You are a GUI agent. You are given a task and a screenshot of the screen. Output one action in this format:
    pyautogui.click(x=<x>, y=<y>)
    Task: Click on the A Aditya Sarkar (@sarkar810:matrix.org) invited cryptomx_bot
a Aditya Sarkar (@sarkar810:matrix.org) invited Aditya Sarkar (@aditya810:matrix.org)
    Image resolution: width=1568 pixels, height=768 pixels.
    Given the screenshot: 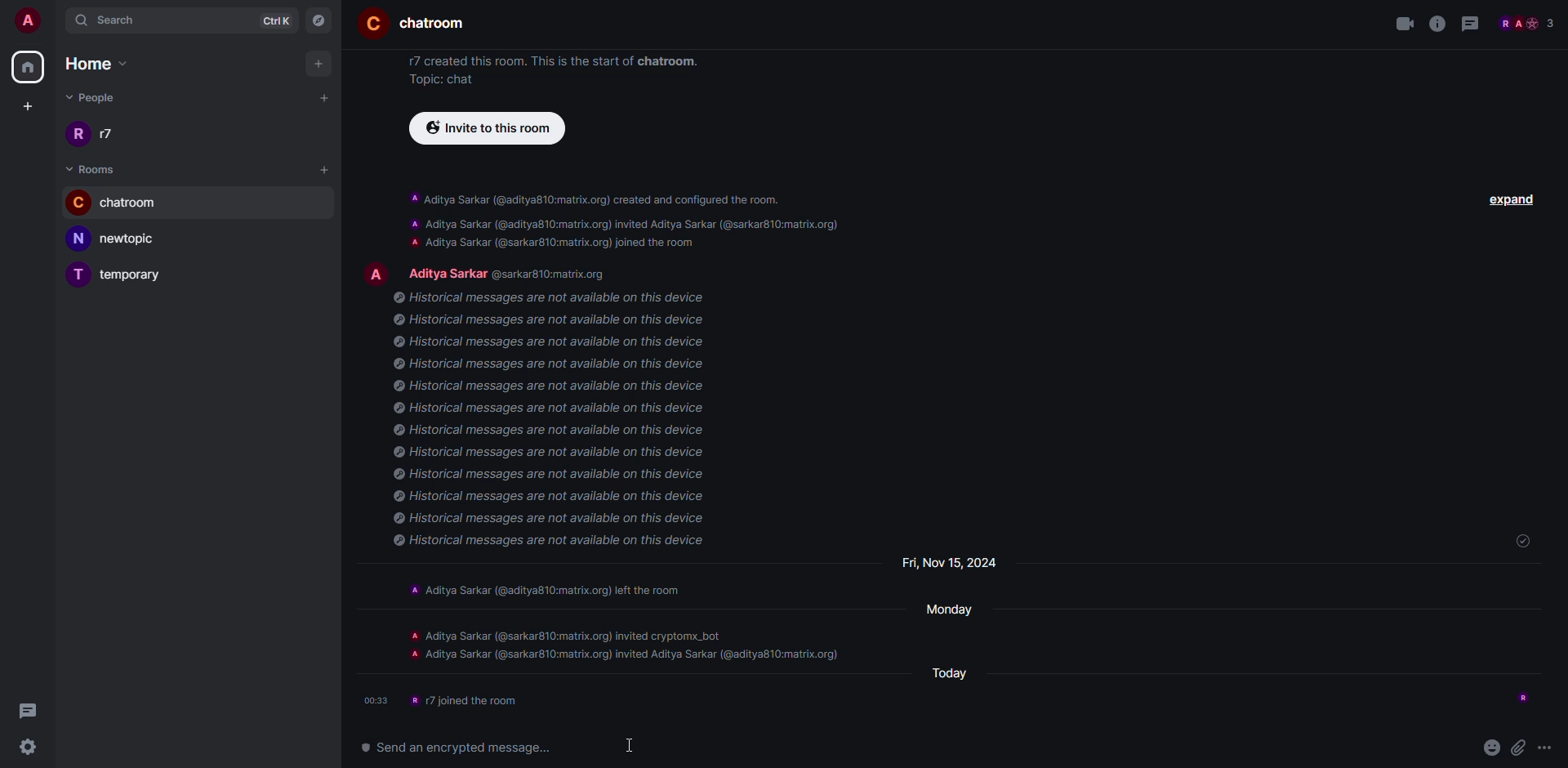 What is the action you would take?
    pyautogui.click(x=620, y=645)
    